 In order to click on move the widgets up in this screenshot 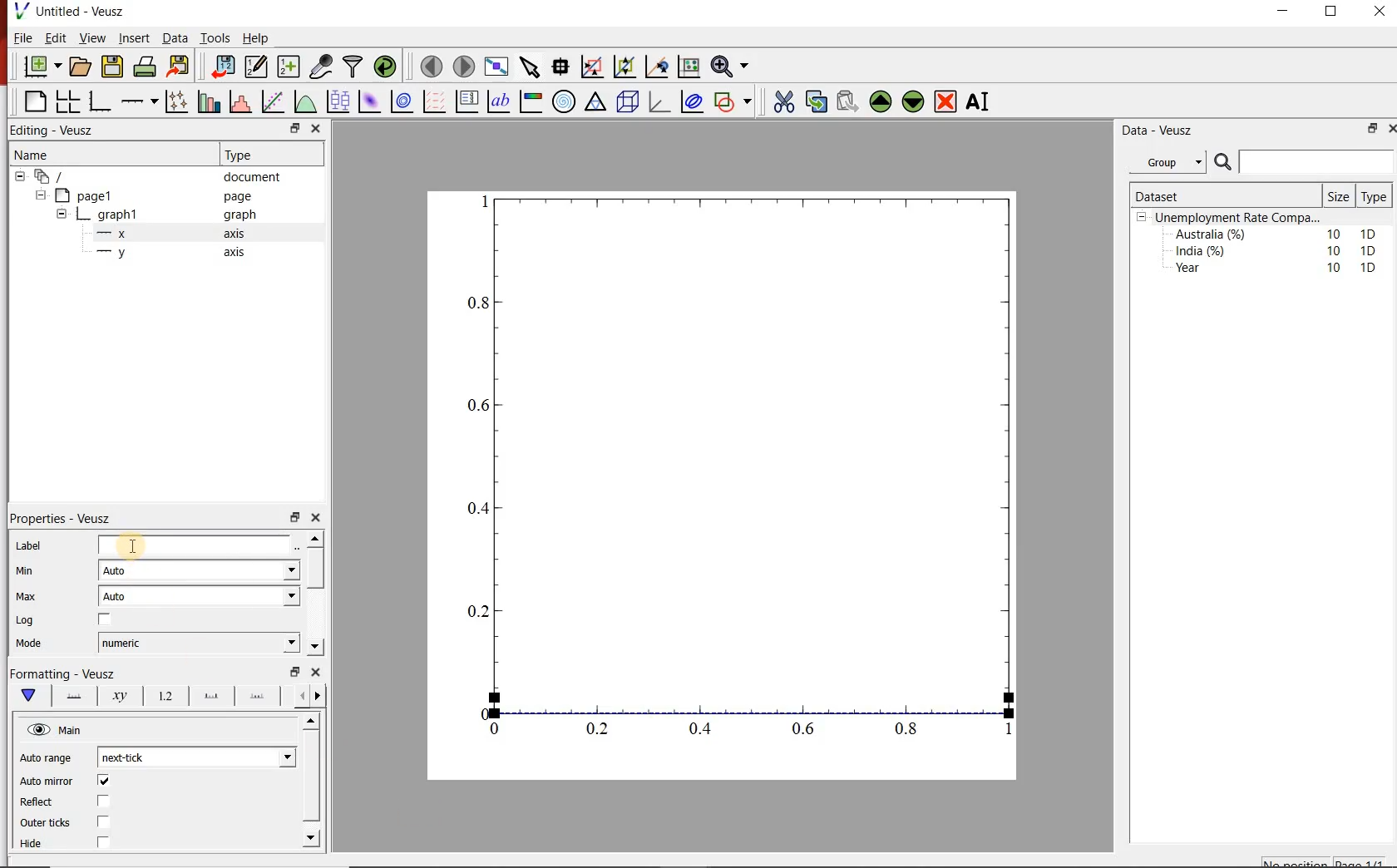, I will do `click(881, 101)`.